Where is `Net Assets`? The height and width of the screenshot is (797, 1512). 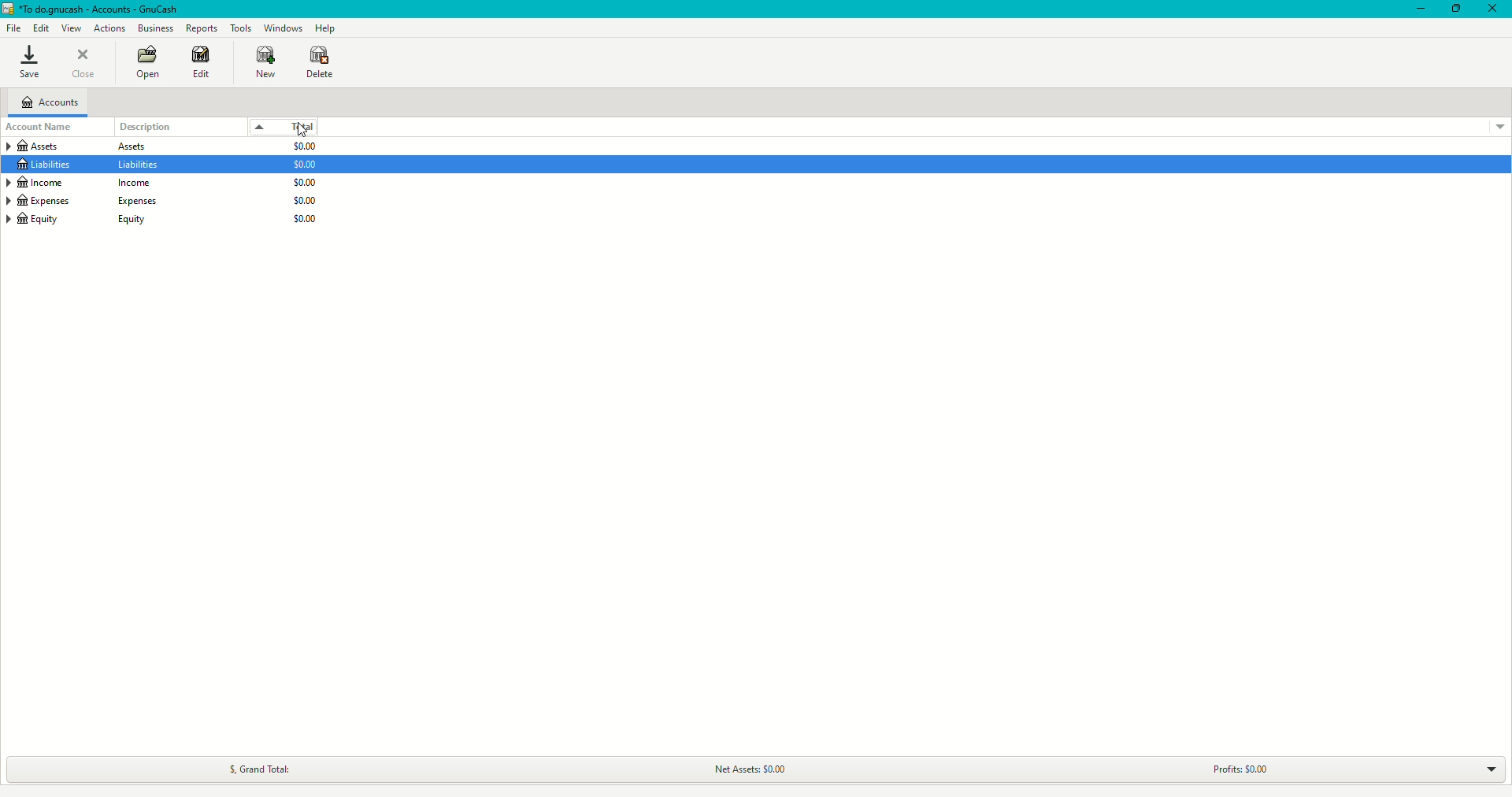 Net Assets is located at coordinates (749, 765).